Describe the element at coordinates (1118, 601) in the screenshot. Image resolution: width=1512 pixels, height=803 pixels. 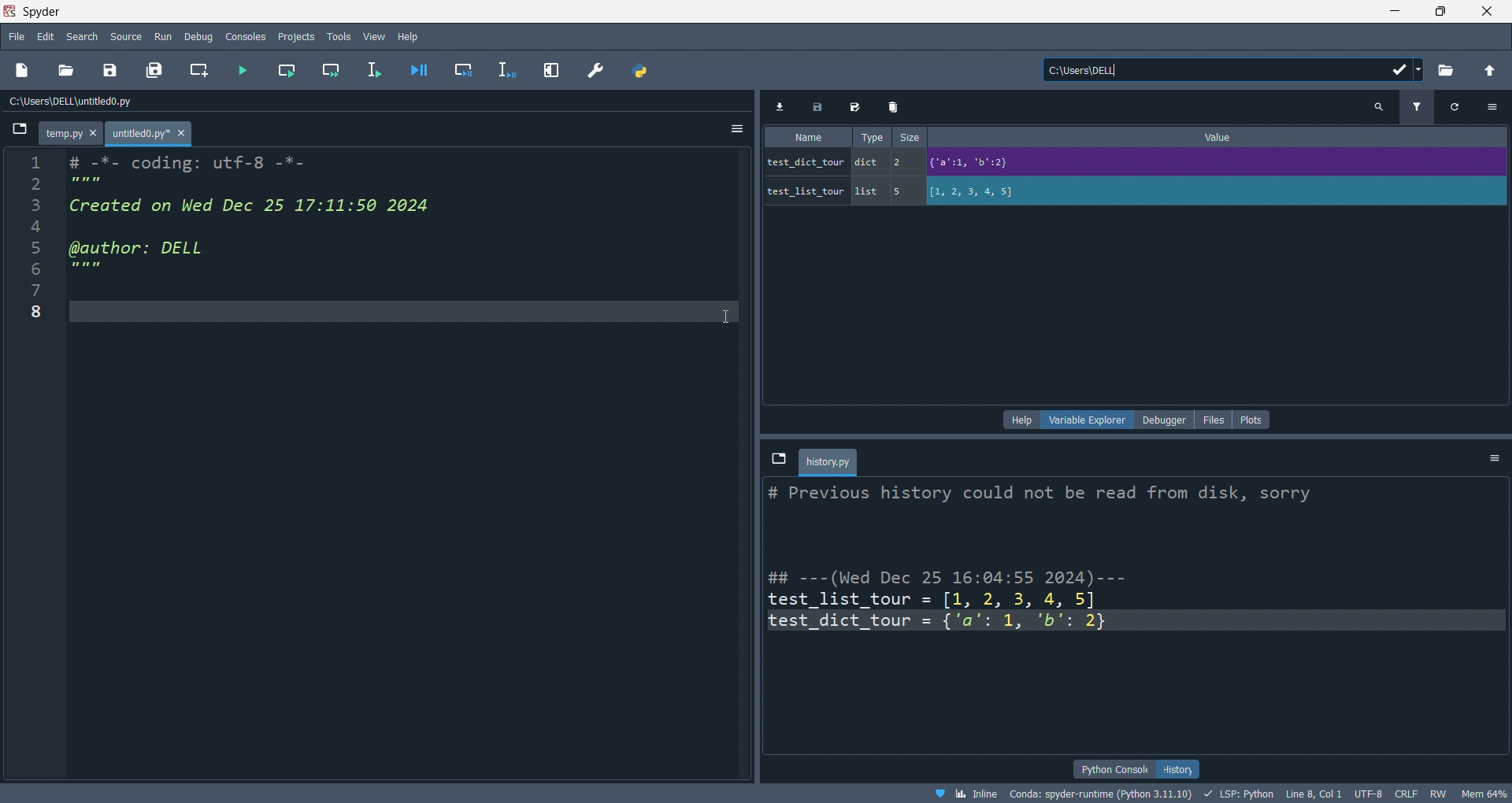
I see `history pane information` at that location.